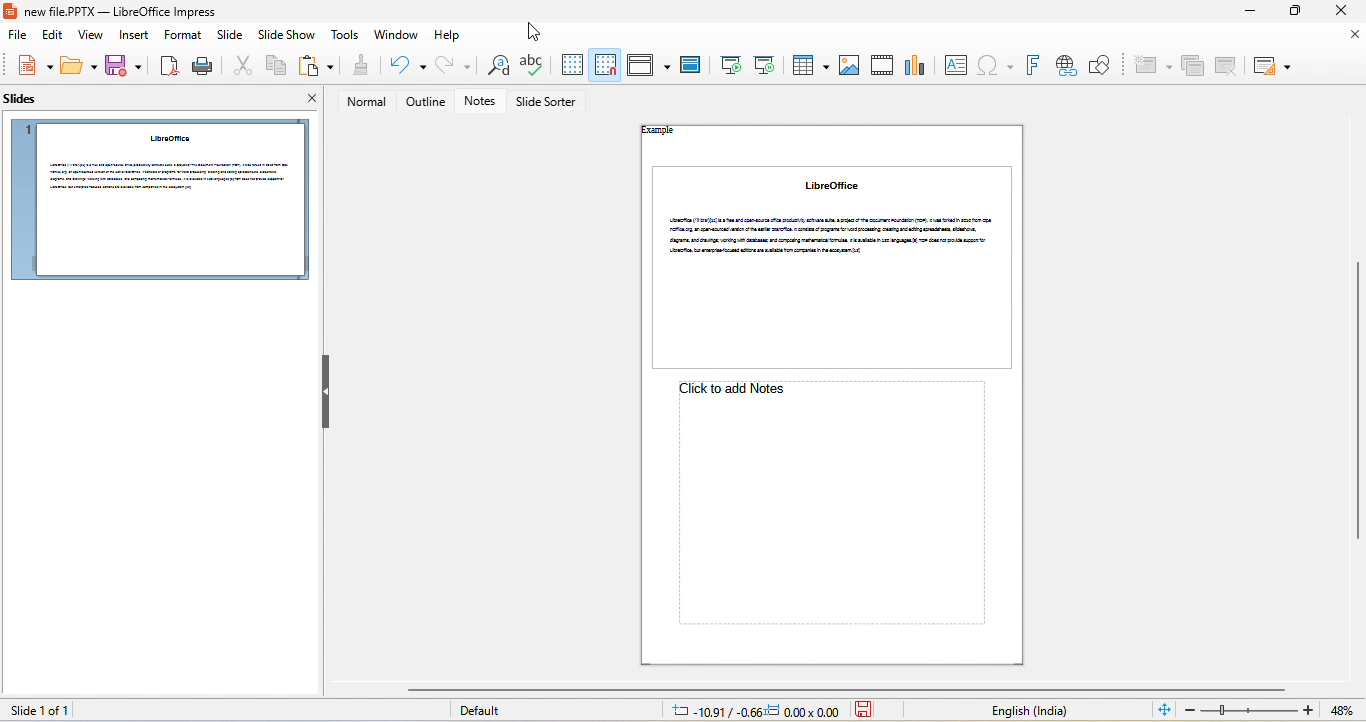 The height and width of the screenshot is (722, 1366). What do you see at coordinates (80, 67) in the screenshot?
I see `open` at bounding box center [80, 67].